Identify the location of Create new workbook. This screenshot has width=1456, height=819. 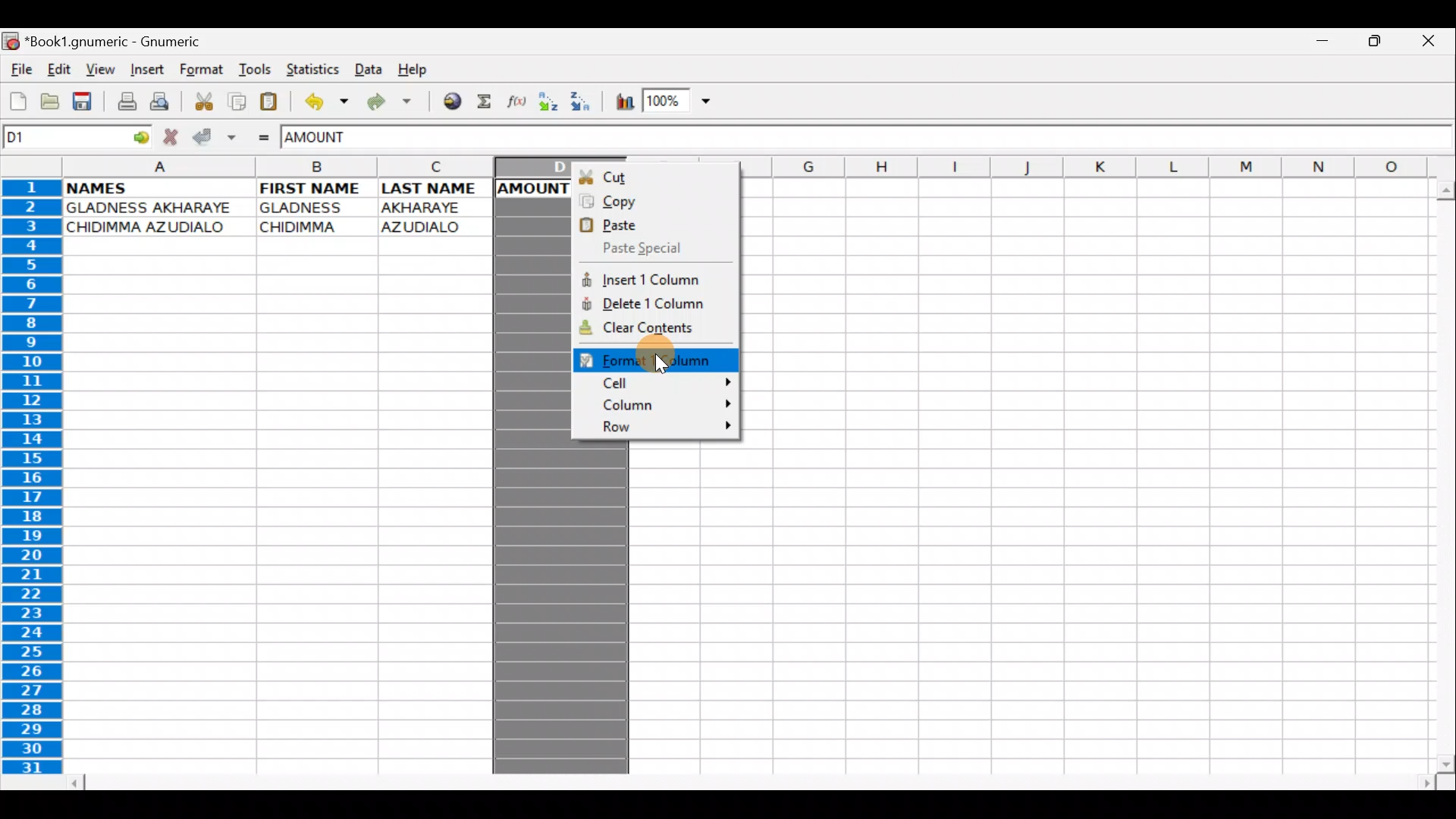
(17, 102).